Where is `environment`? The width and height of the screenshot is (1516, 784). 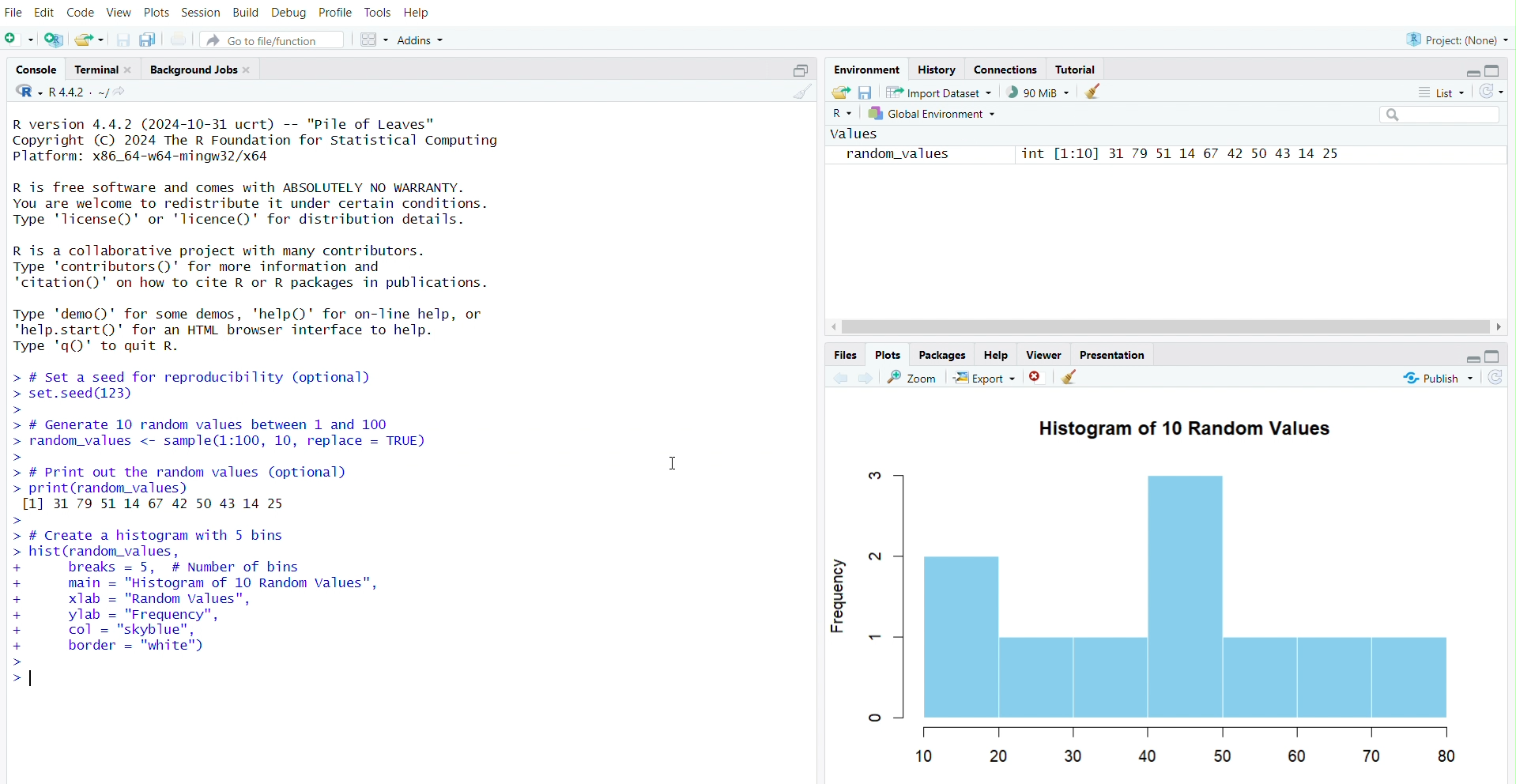
environment is located at coordinates (867, 68).